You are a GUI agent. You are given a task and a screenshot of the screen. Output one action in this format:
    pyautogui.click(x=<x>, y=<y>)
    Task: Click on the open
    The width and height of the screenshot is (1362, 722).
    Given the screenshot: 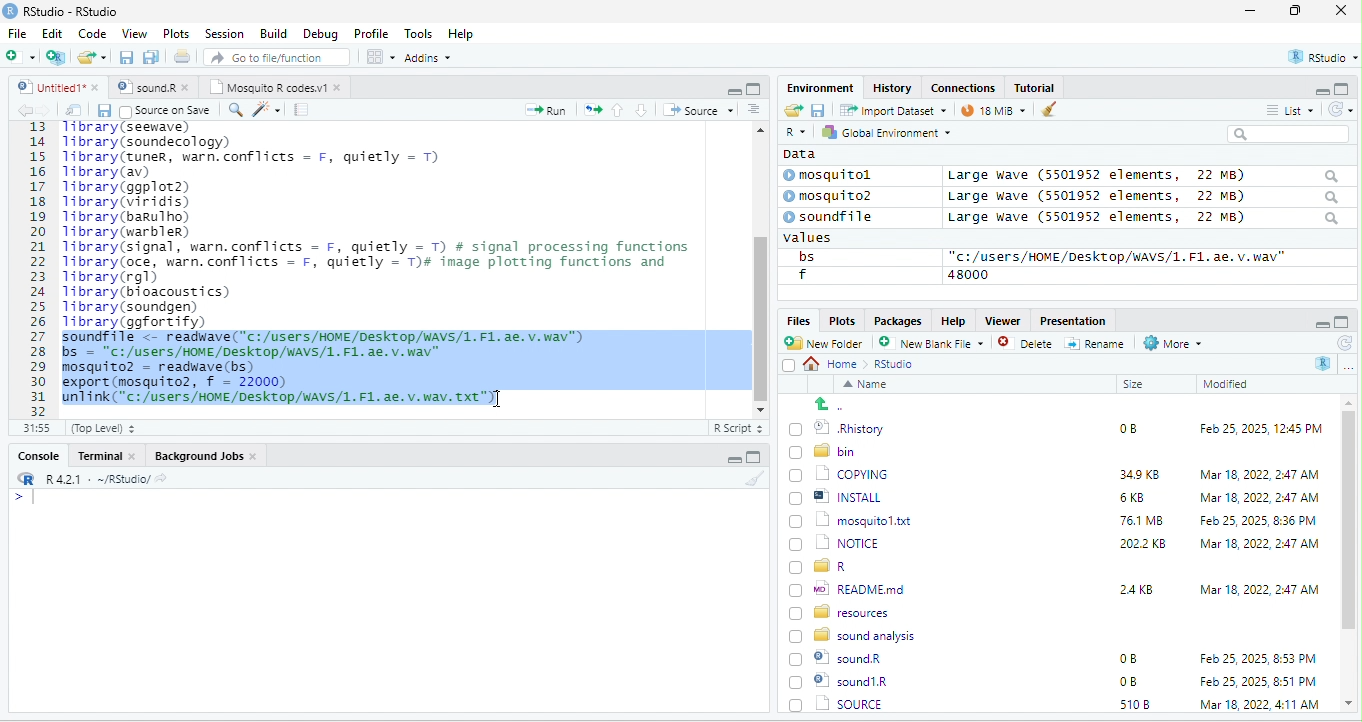 What is the action you would take?
    pyautogui.click(x=593, y=108)
    